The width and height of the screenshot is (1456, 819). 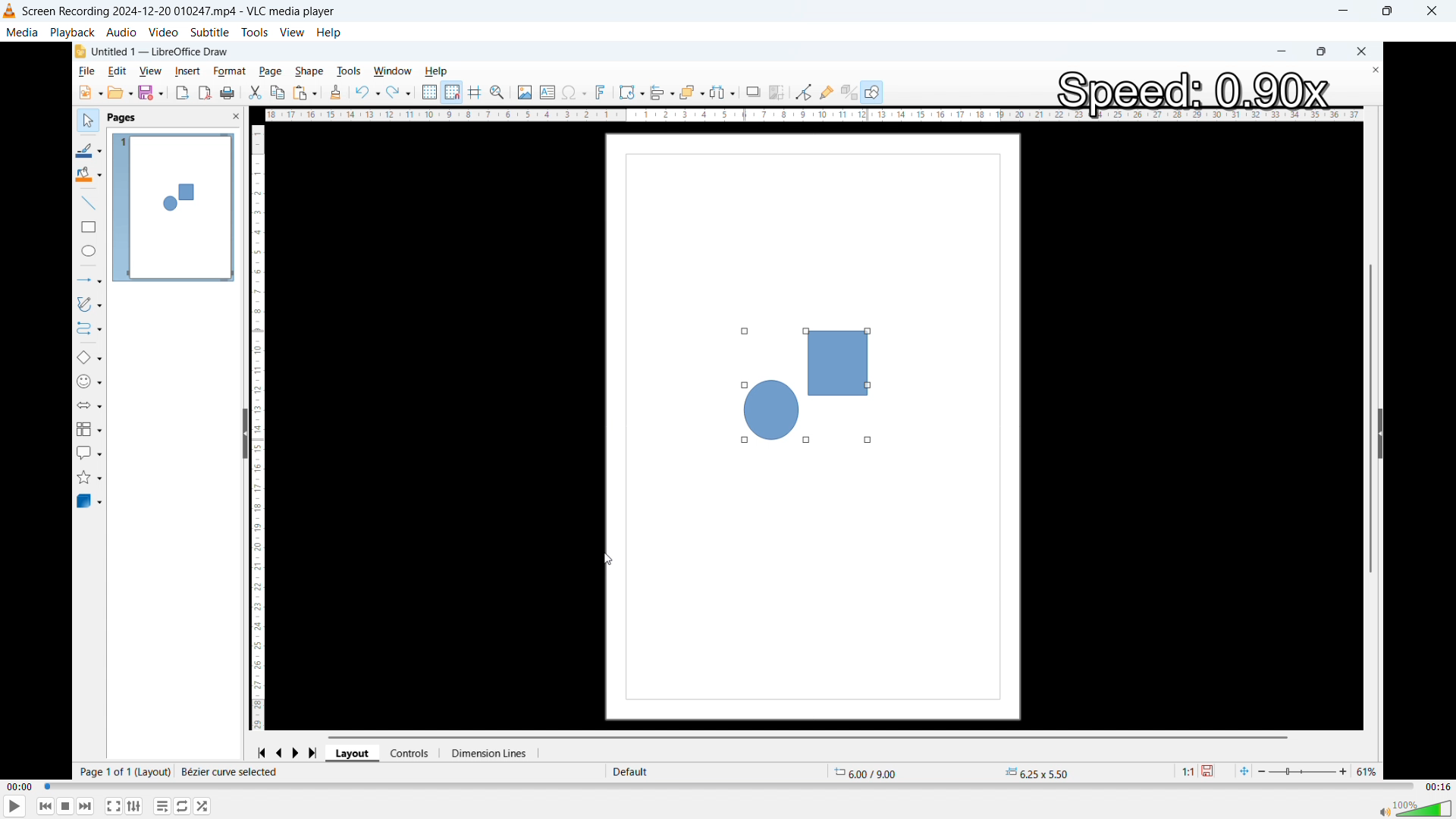 What do you see at coordinates (133, 806) in the screenshot?
I see `Show advanced settings ` at bounding box center [133, 806].